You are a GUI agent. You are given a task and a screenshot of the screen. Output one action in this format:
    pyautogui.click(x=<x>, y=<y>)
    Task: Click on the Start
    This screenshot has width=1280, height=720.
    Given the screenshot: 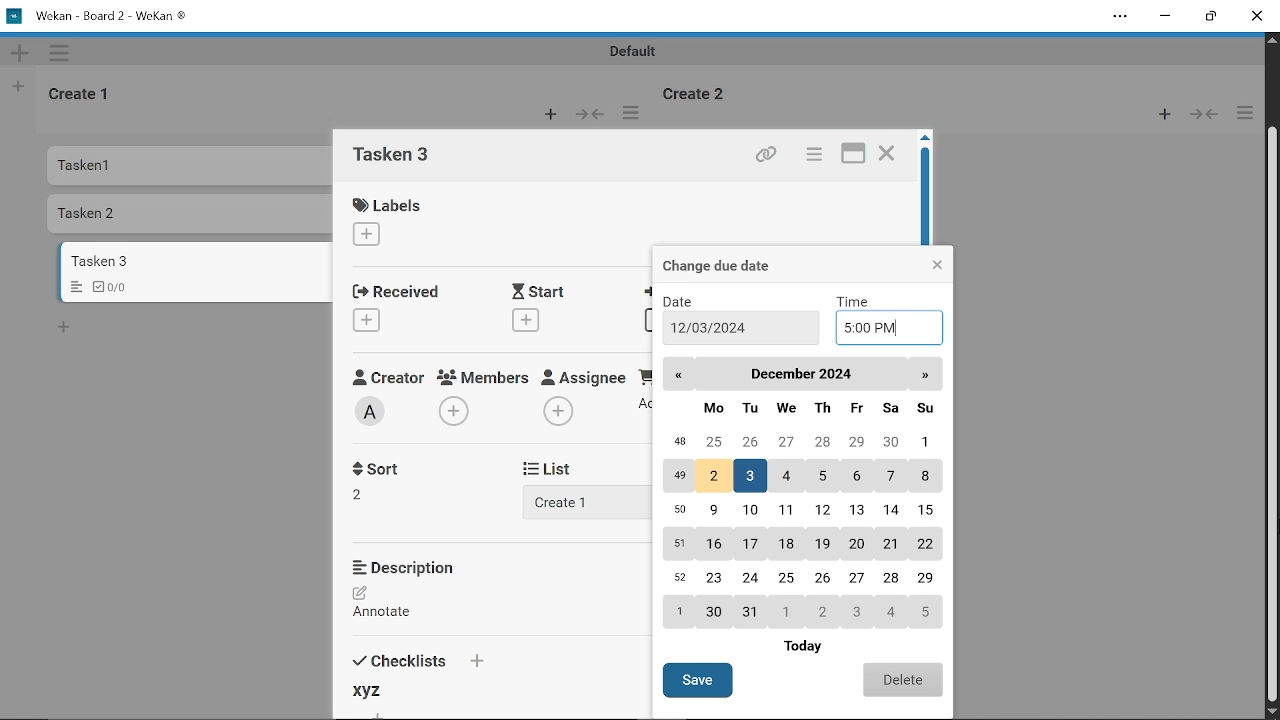 What is the action you would take?
    pyautogui.click(x=544, y=291)
    